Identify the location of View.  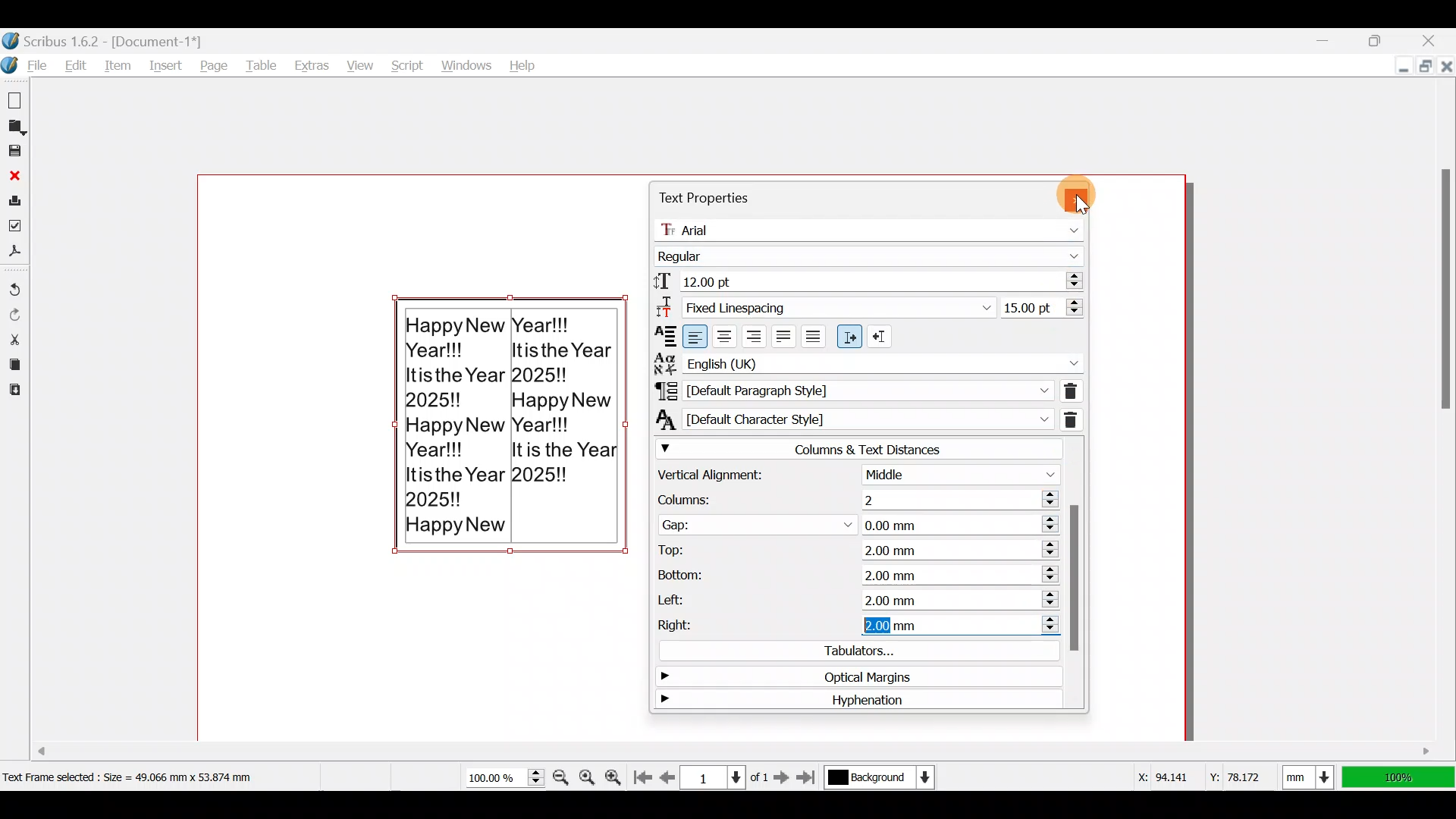
(358, 62).